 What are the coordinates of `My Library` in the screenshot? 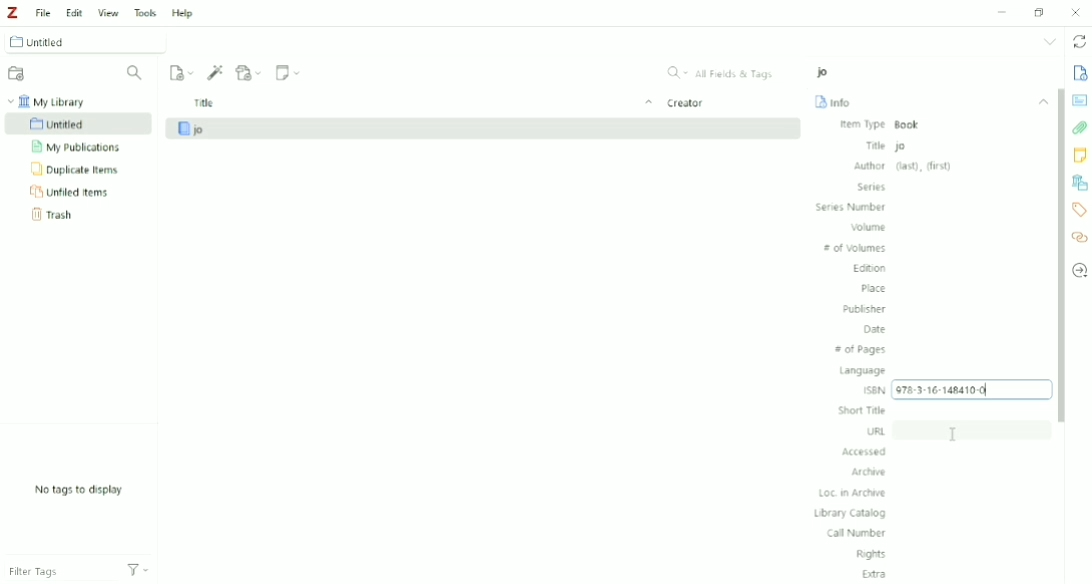 It's located at (55, 101).